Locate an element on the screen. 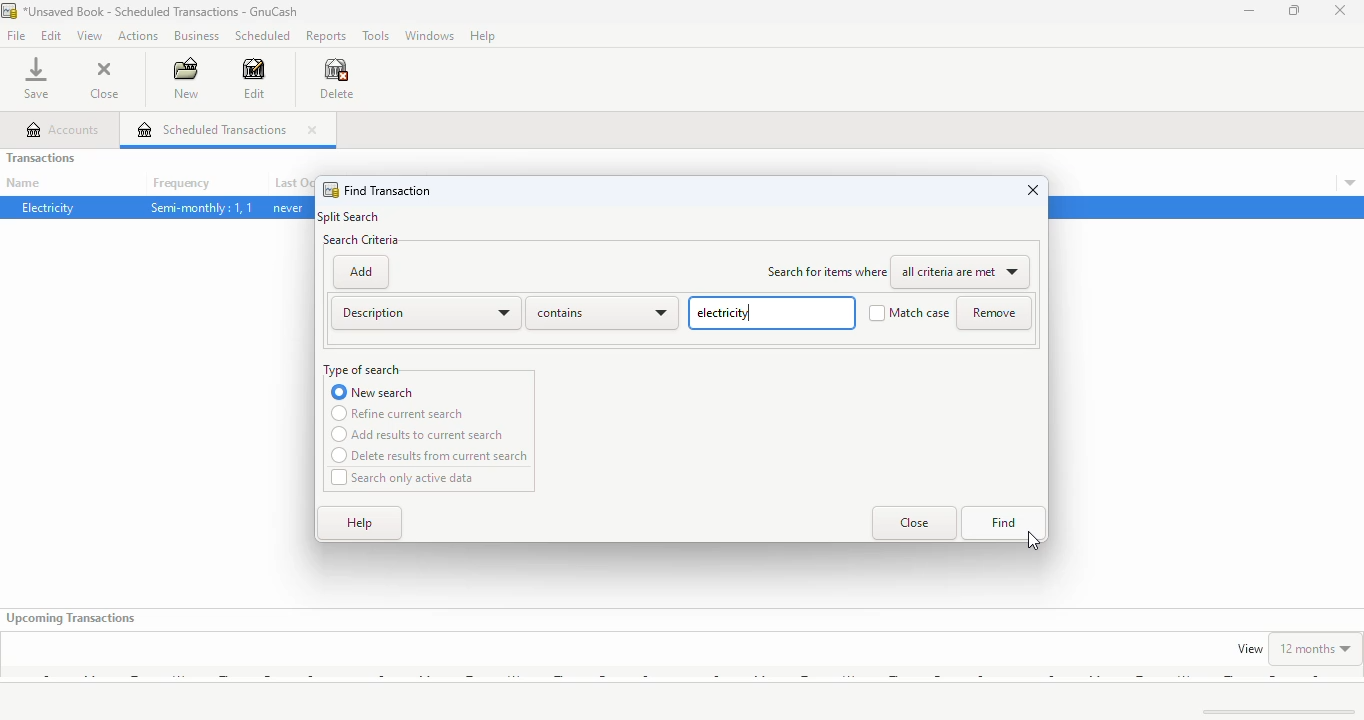 The width and height of the screenshot is (1364, 720). new is located at coordinates (187, 78).